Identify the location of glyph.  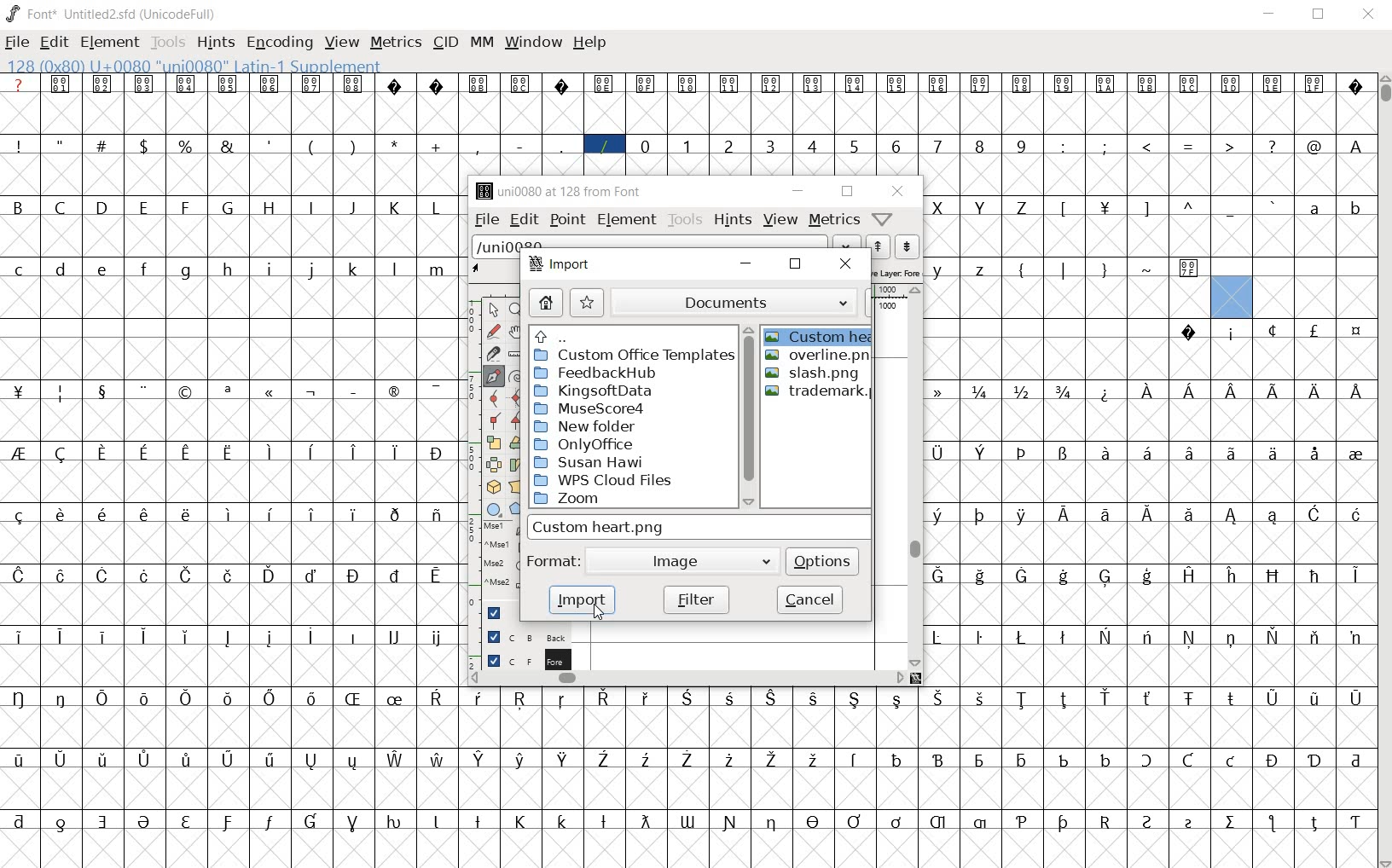
(1064, 576).